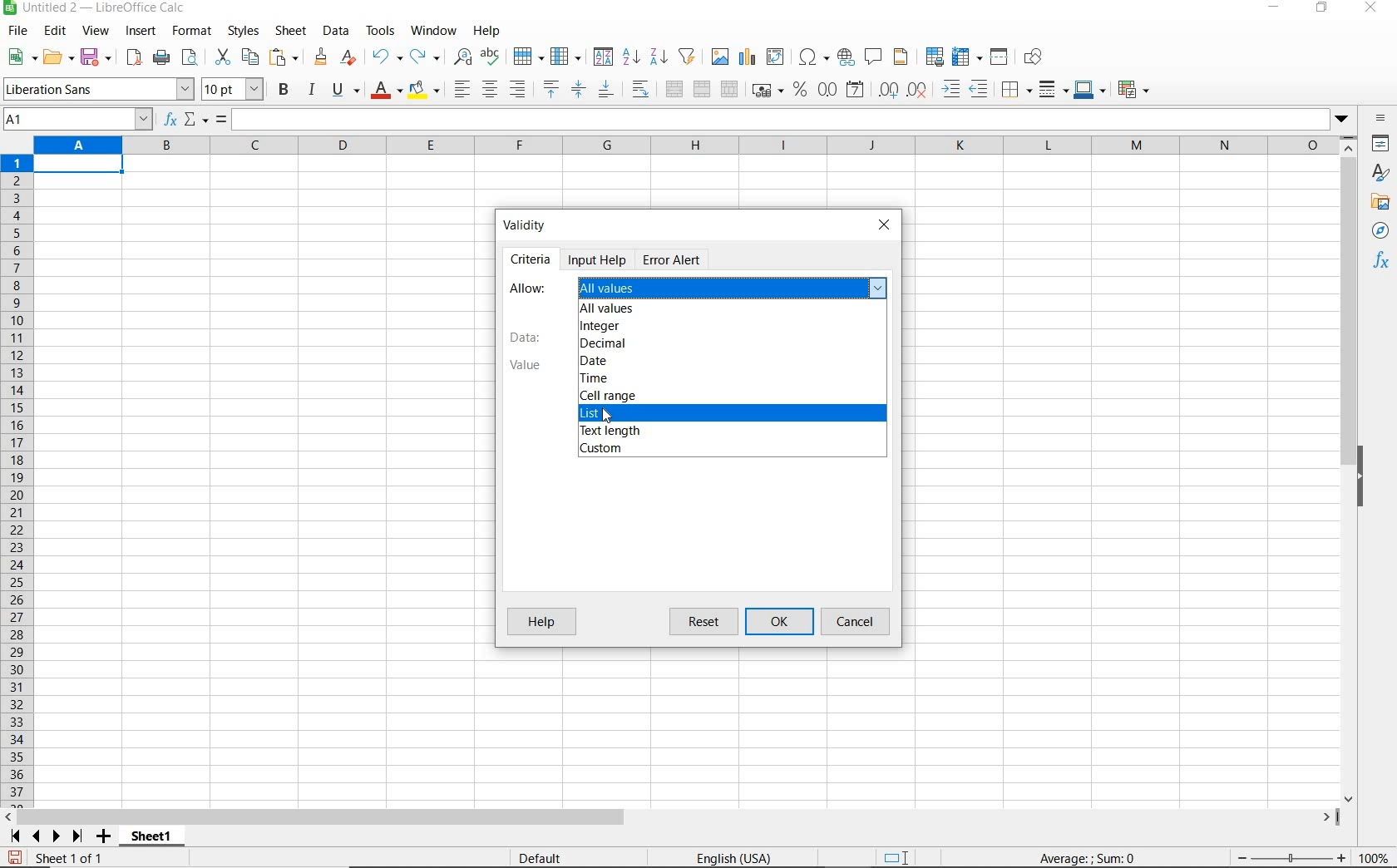  What do you see at coordinates (671, 817) in the screenshot?
I see `scrollbar` at bounding box center [671, 817].